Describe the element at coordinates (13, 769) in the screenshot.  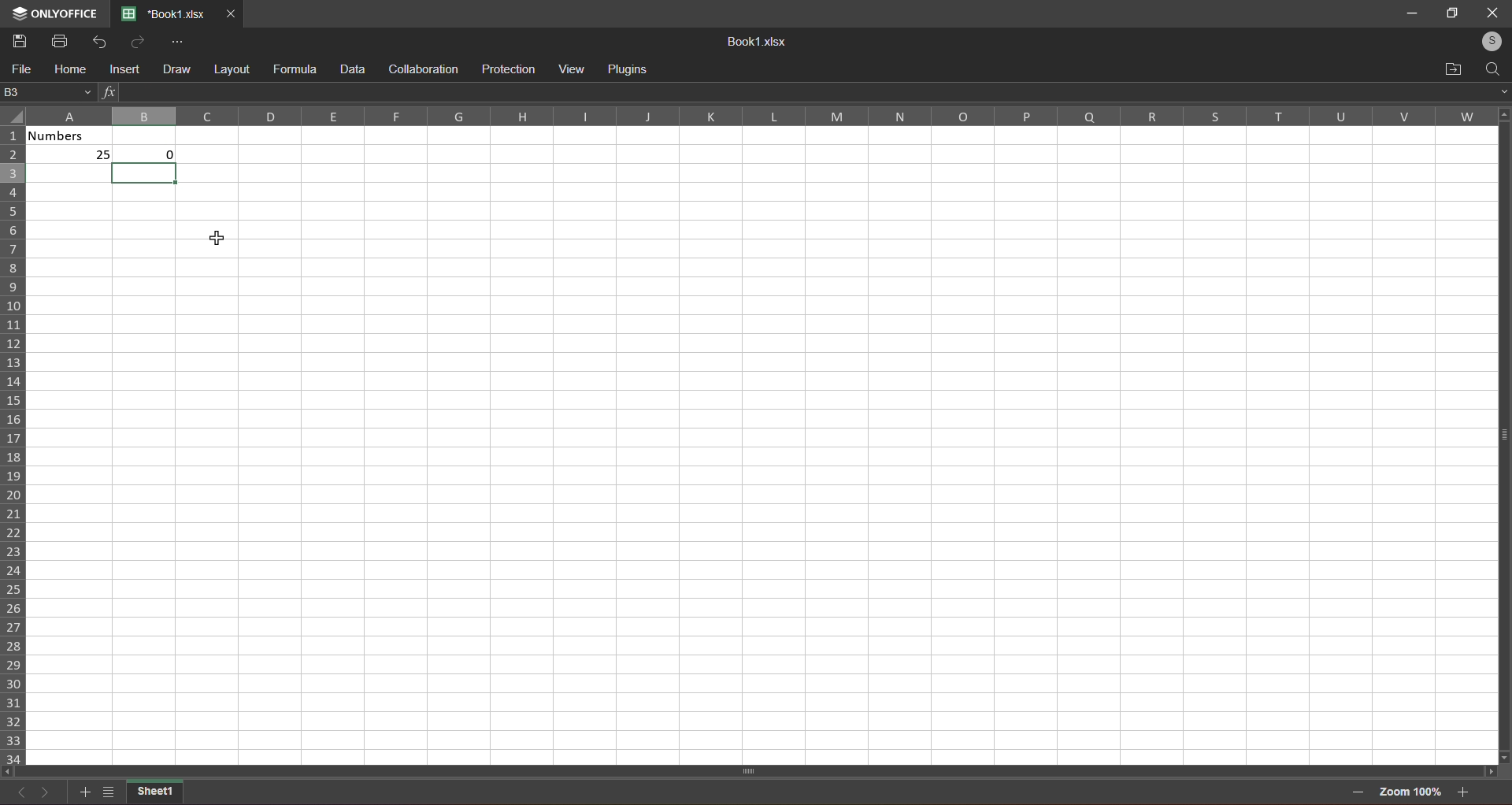
I see `scroll left` at that location.